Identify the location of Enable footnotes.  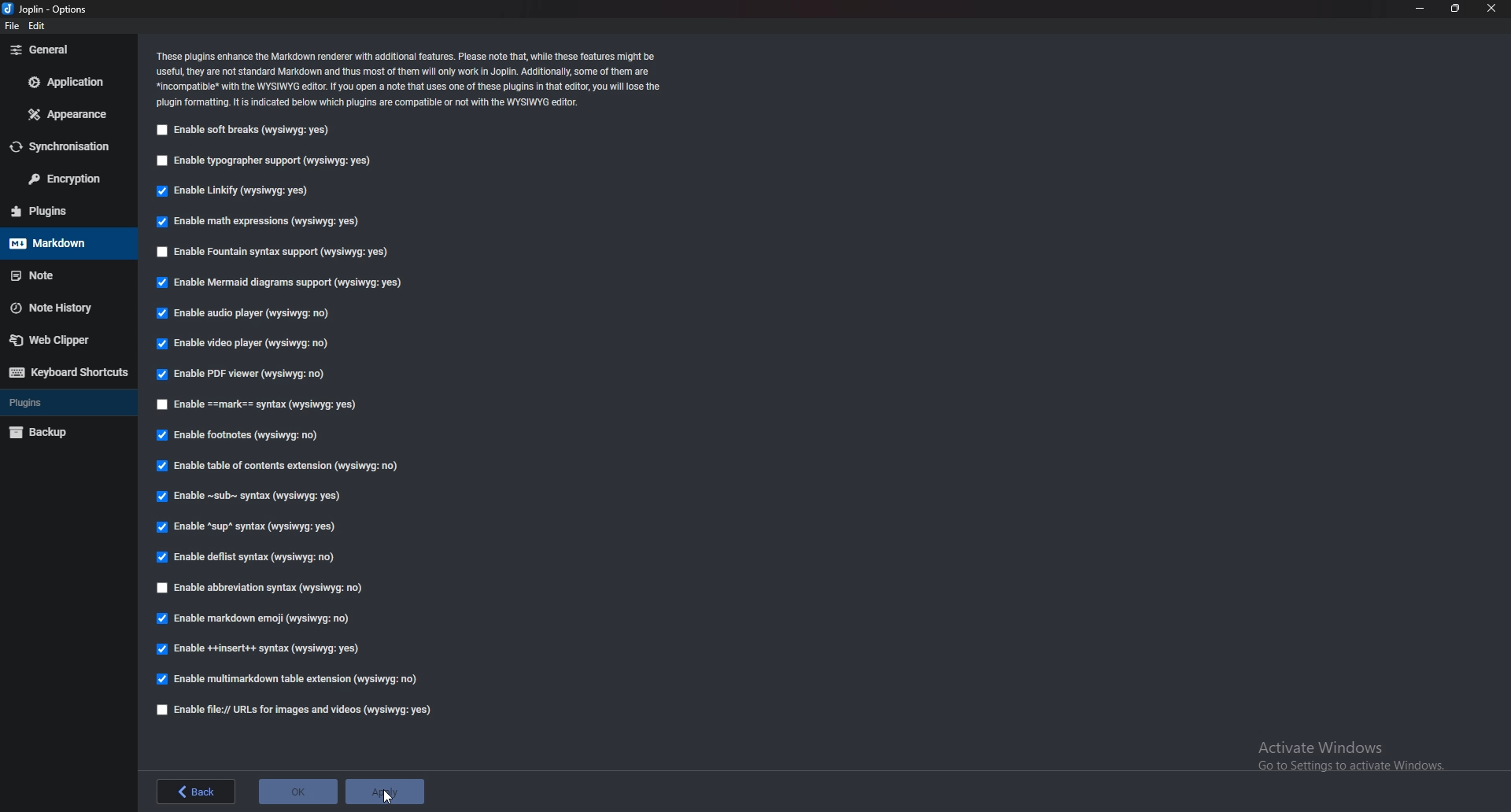
(238, 437).